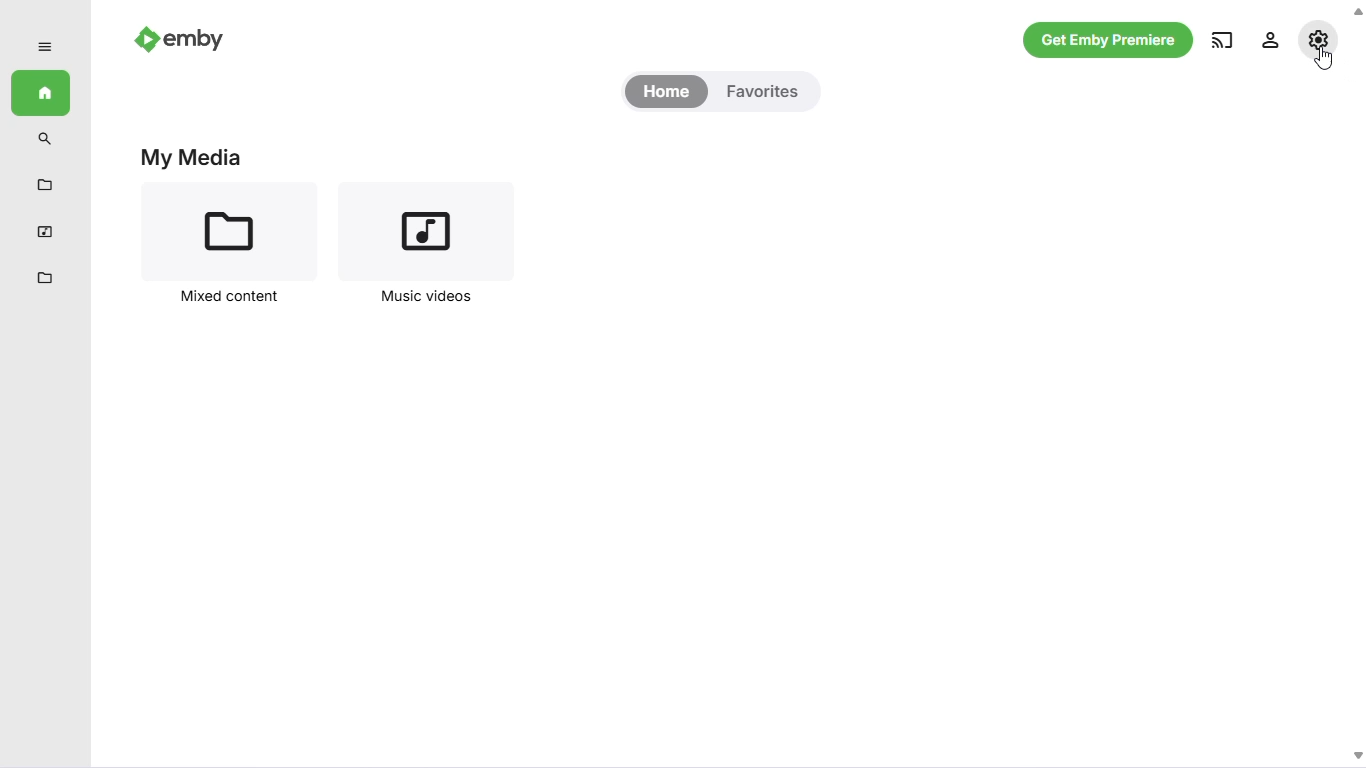 Image resolution: width=1366 pixels, height=768 pixels. What do you see at coordinates (1270, 41) in the screenshot?
I see `manage emby server` at bounding box center [1270, 41].